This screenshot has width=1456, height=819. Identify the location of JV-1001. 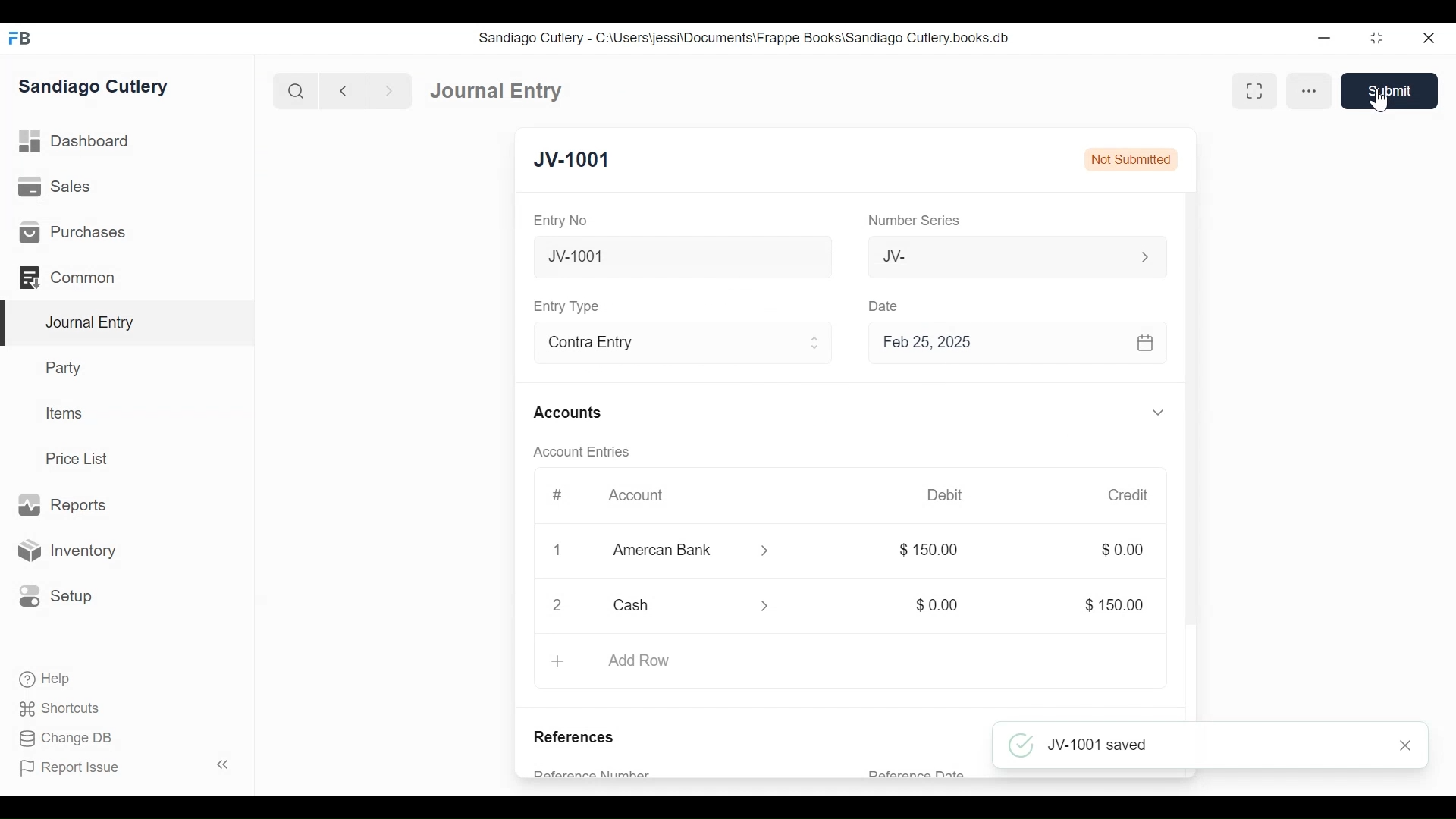
(572, 161).